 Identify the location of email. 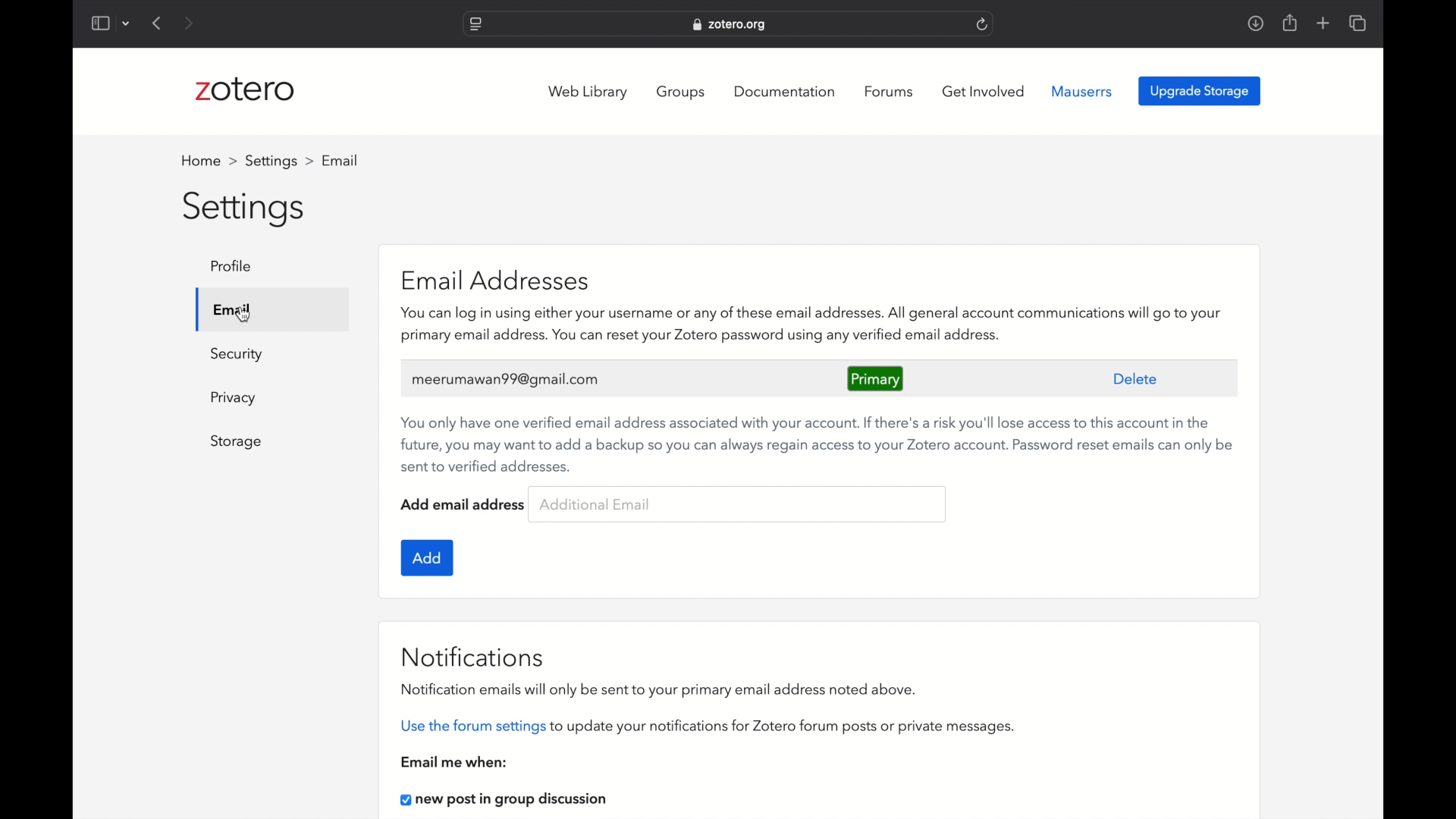
(231, 309).